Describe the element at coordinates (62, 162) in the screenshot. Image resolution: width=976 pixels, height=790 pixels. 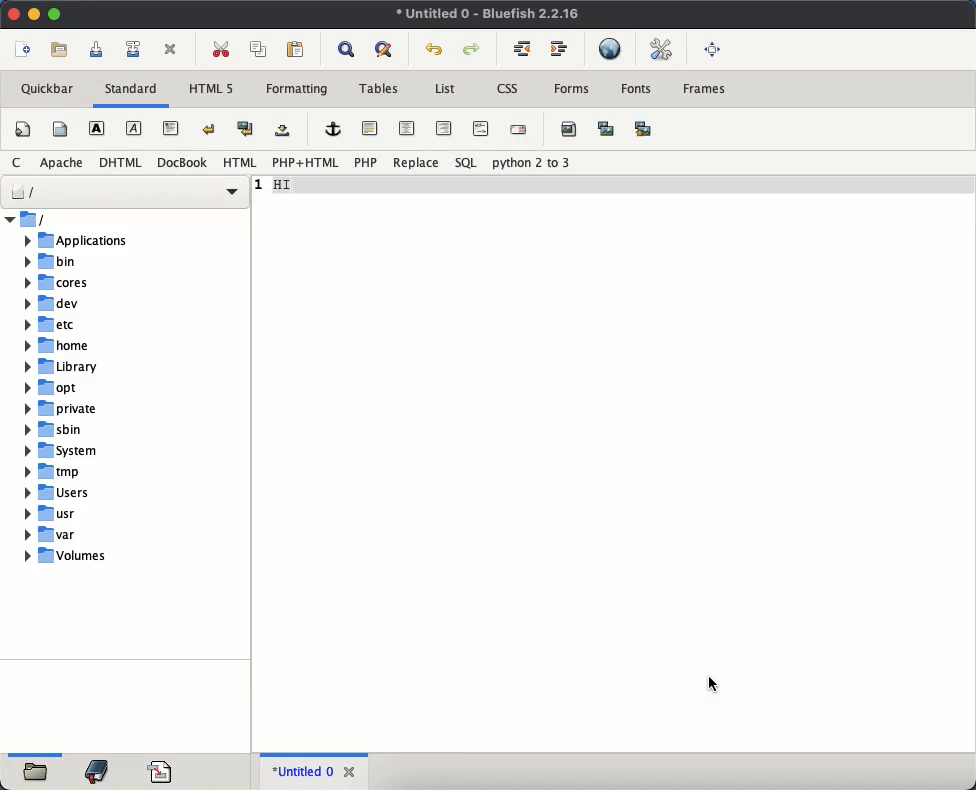
I see `apache` at that location.